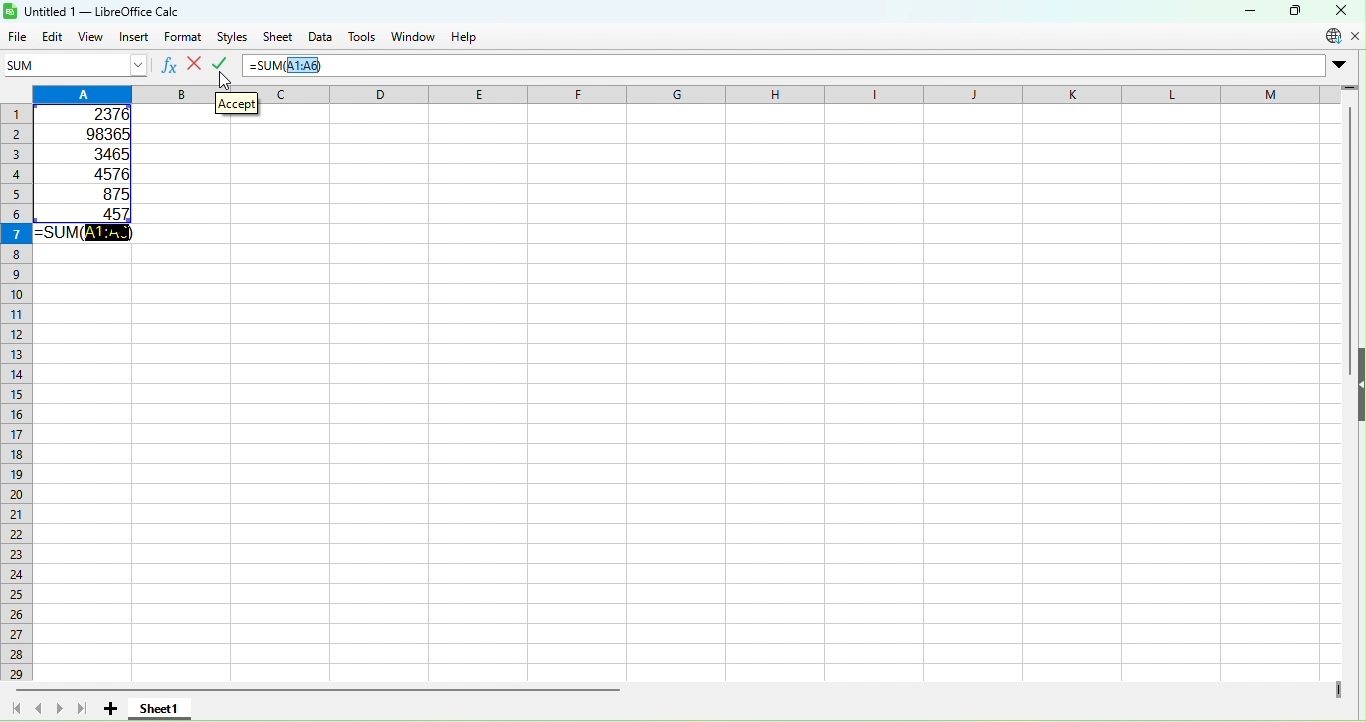  Describe the element at coordinates (81, 235) in the screenshot. I see `=SUM(A1:A6)` at that location.